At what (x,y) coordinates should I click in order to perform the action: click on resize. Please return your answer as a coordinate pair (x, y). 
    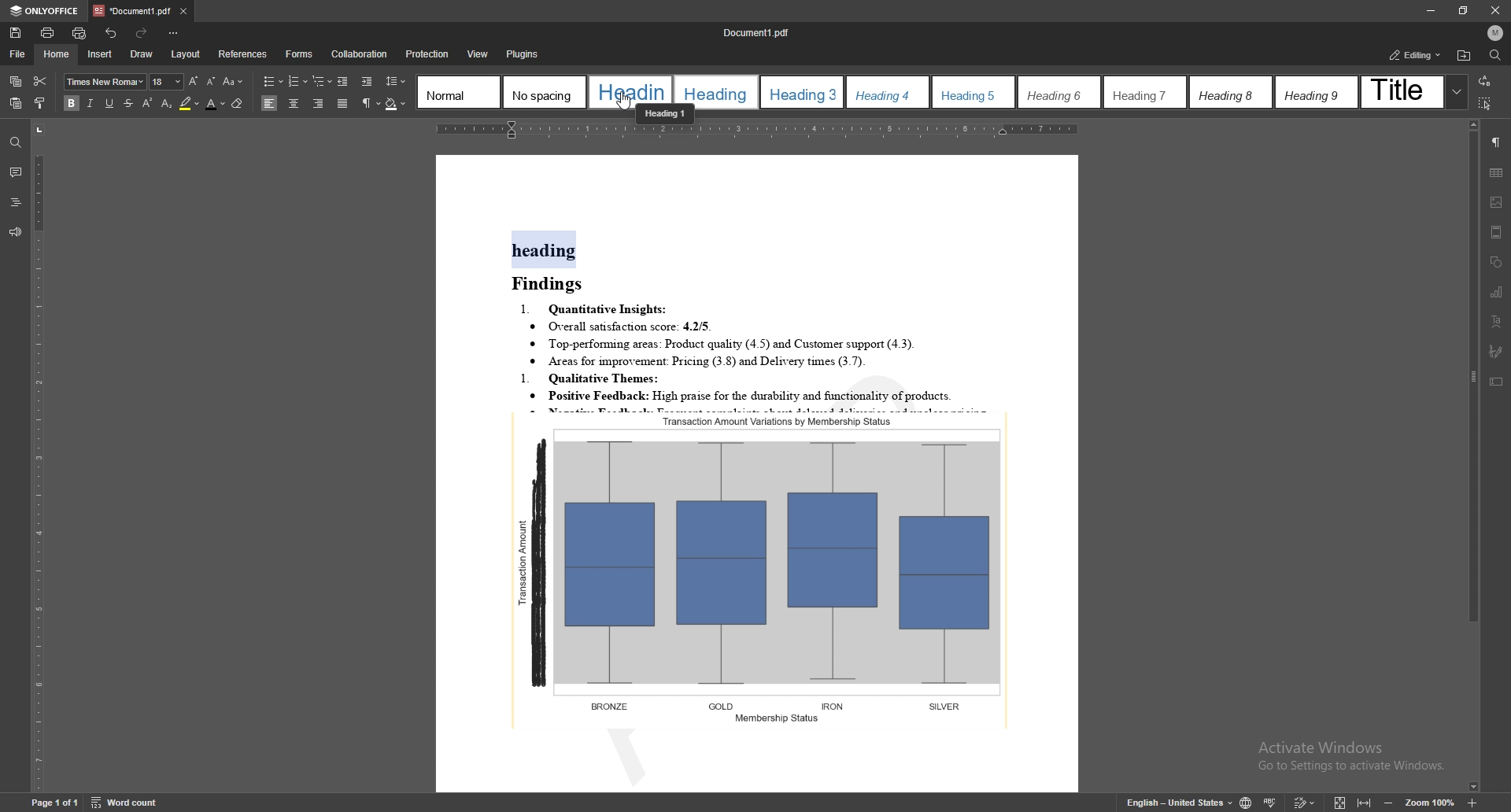
    Looking at the image, I should click on (1463, 10).